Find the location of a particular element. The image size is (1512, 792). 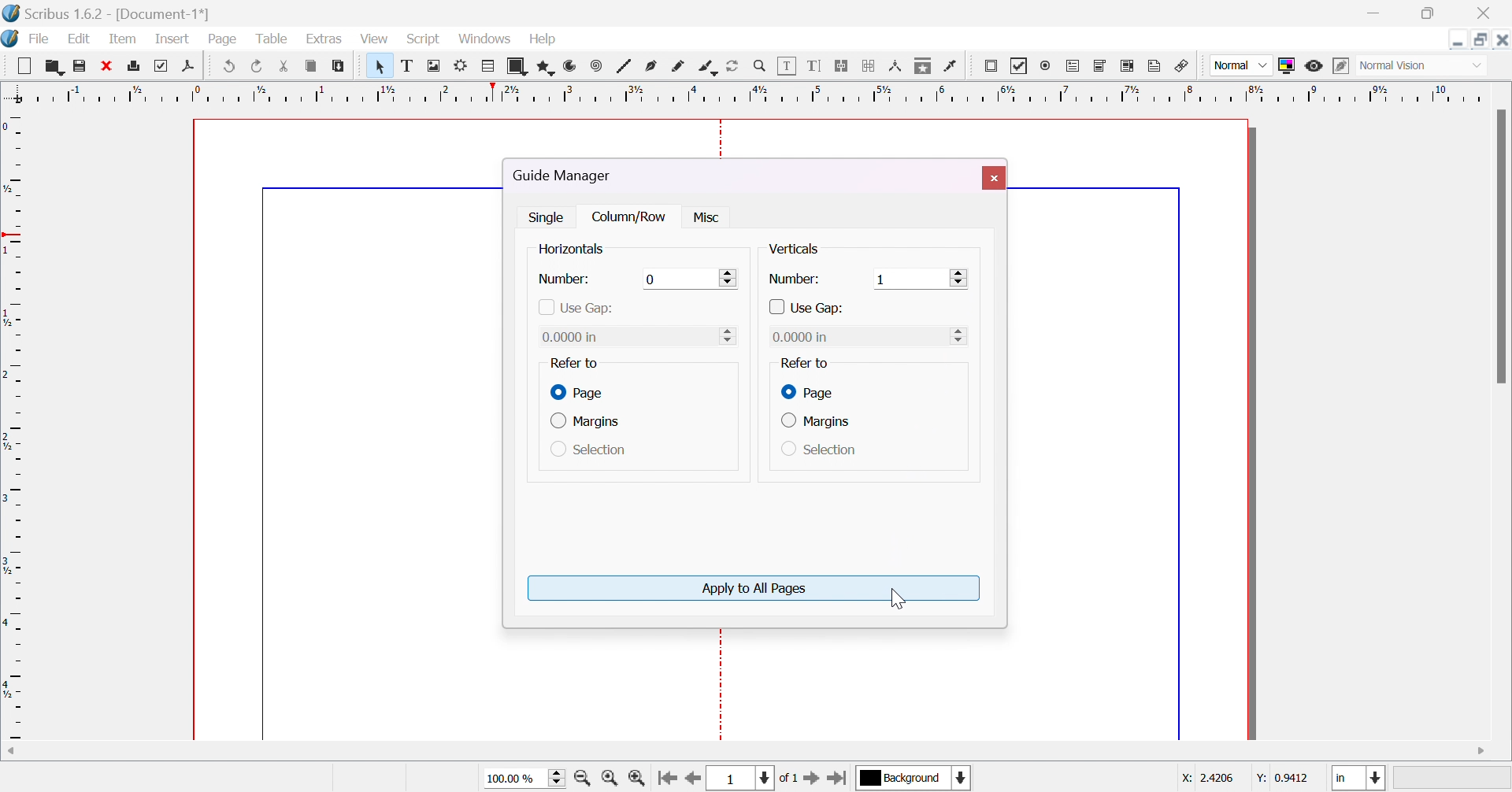

0.0000 in is located at coordinates (575, 337).